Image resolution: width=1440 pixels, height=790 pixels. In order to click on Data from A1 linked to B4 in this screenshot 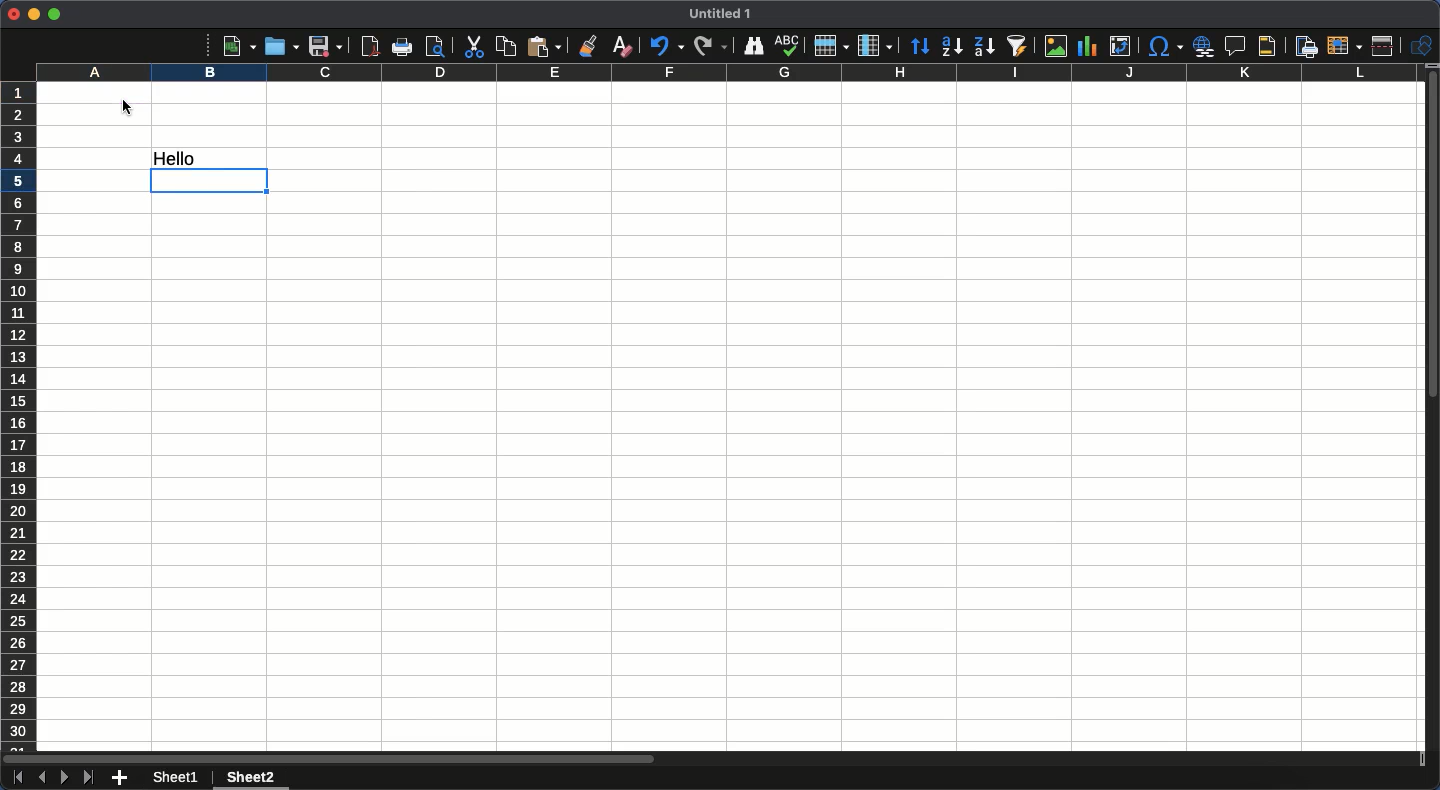, I will do `click(209, 156)`.